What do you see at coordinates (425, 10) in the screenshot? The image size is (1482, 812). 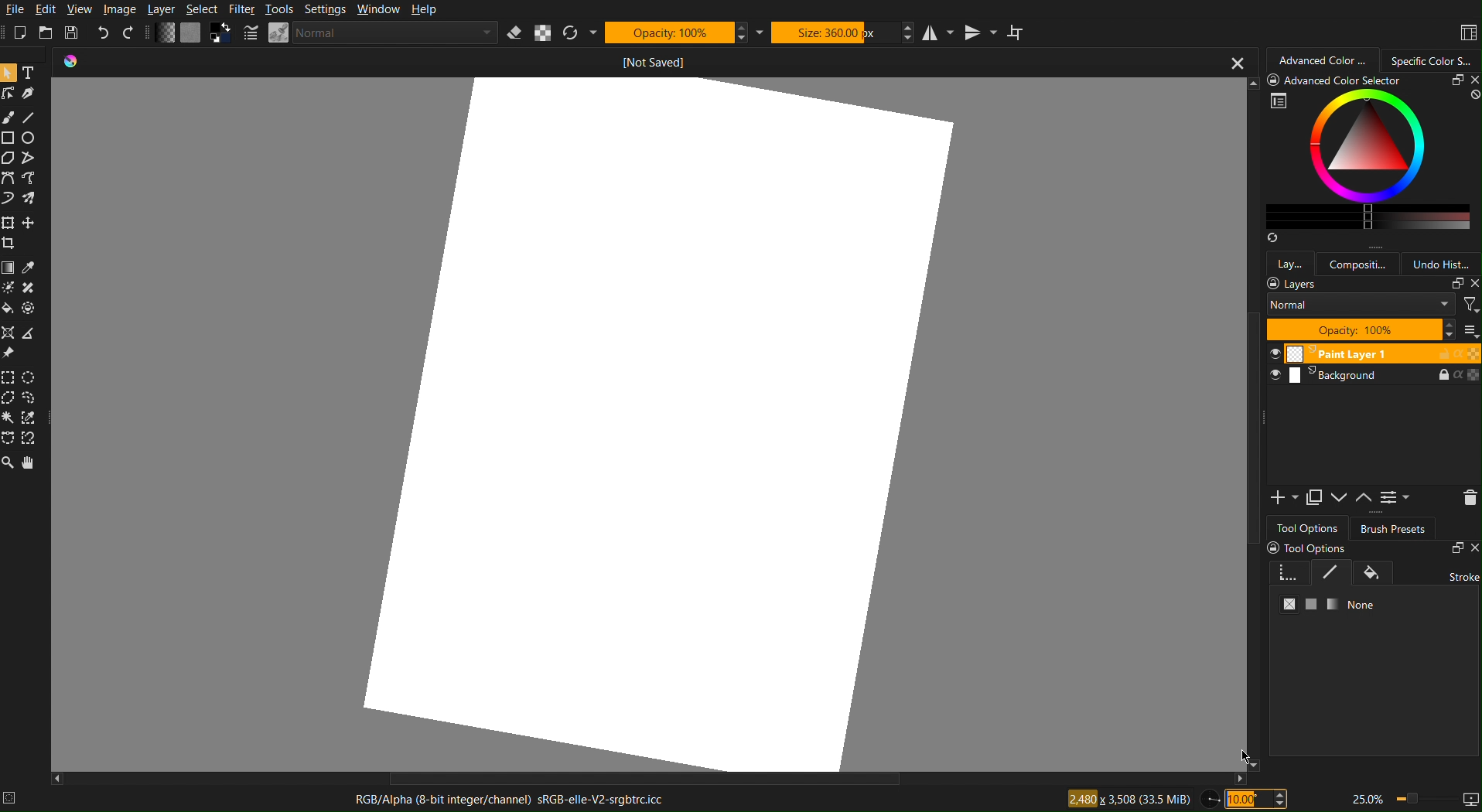 I see `Help` at bounding box center [425, 10].